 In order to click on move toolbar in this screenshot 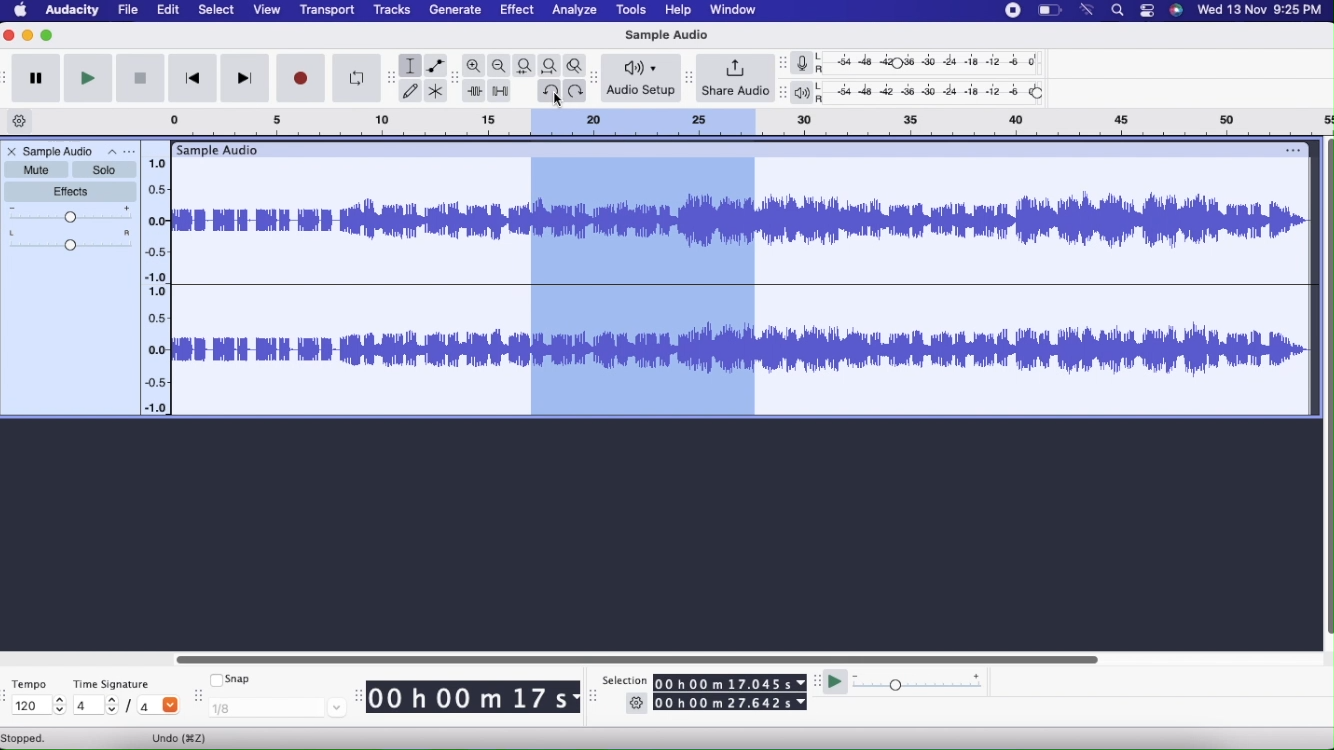, I will do `click(196, 695)`.